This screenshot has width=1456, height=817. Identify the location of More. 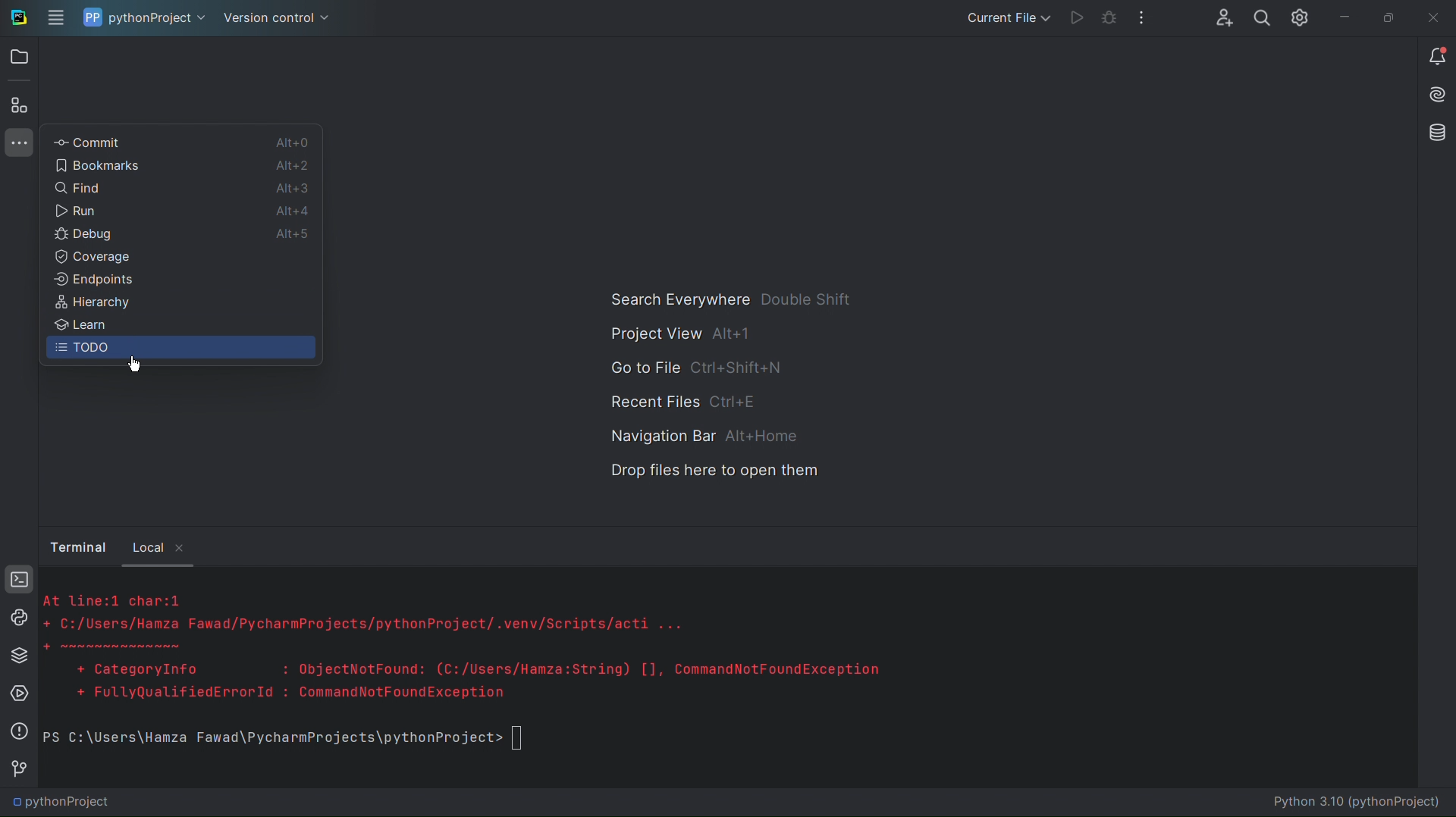
(18, 143).